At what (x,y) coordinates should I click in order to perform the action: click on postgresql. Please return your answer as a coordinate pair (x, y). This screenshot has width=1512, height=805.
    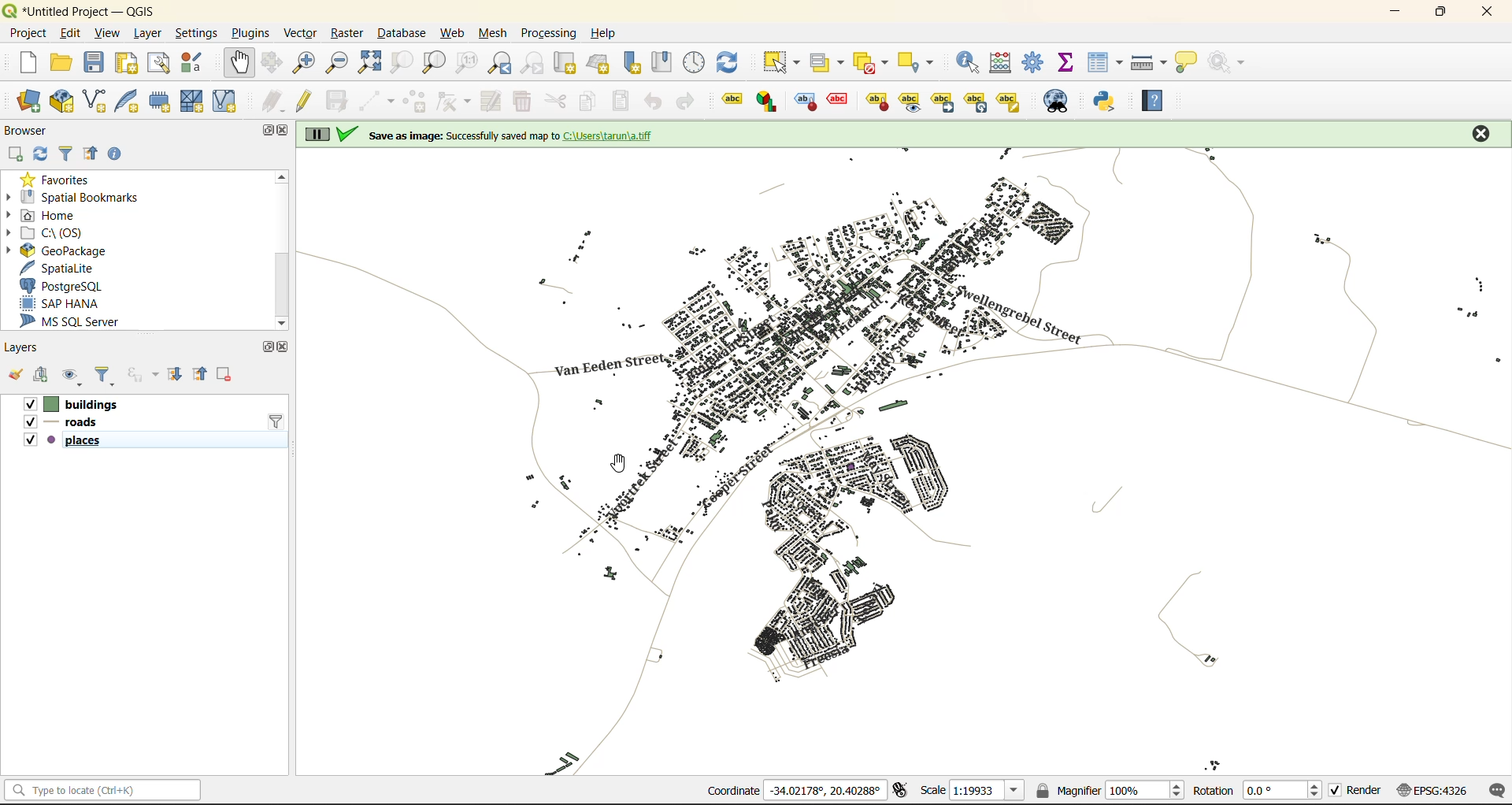
    Looking at the image, I should click on (65, 284).